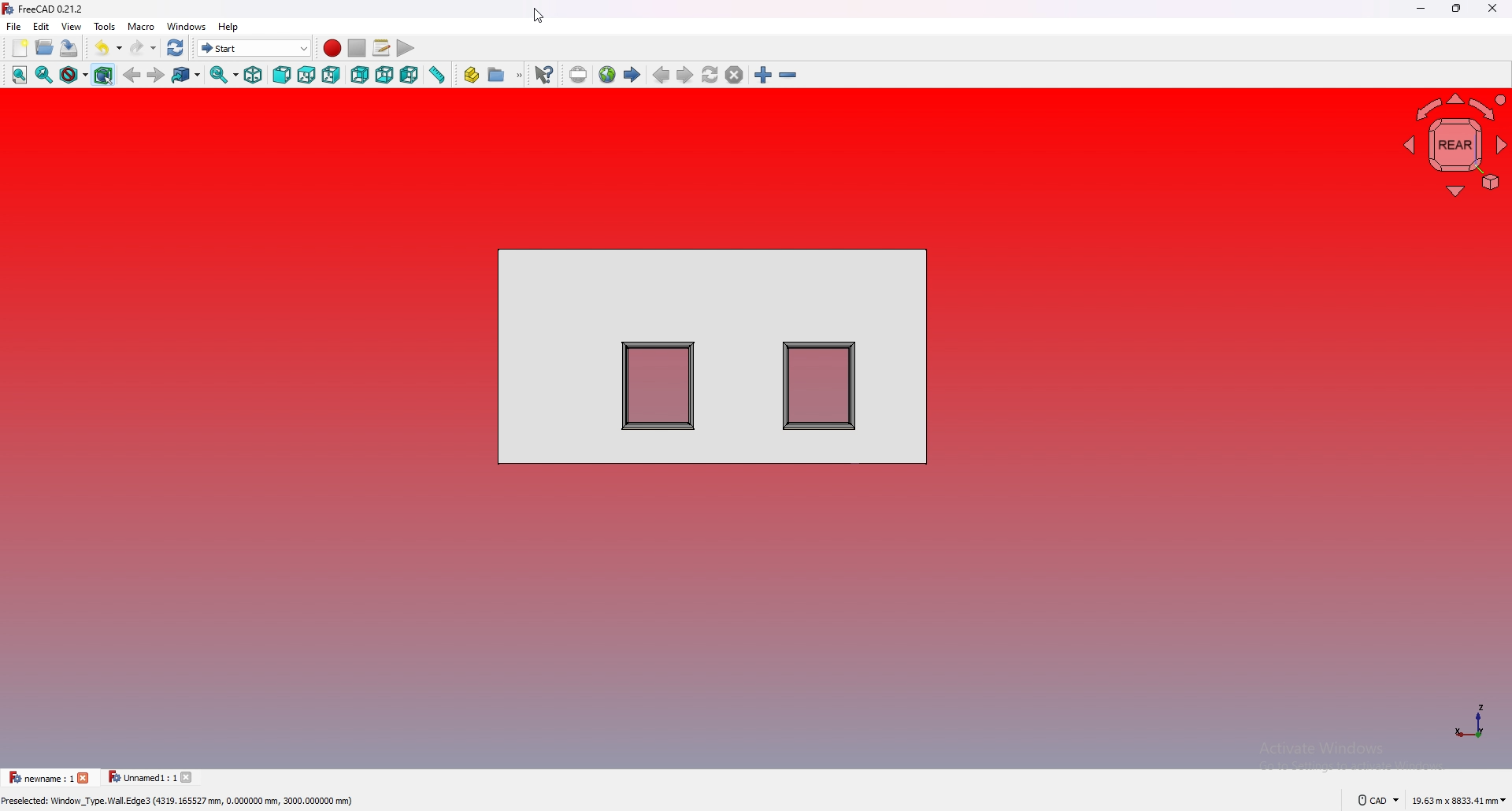 The height and width of the screenshot is (811, 1512). What do you see at coordinates (1459, 802) in the screenshot?
I see `dimensions` at bounding box center [1459, 802].